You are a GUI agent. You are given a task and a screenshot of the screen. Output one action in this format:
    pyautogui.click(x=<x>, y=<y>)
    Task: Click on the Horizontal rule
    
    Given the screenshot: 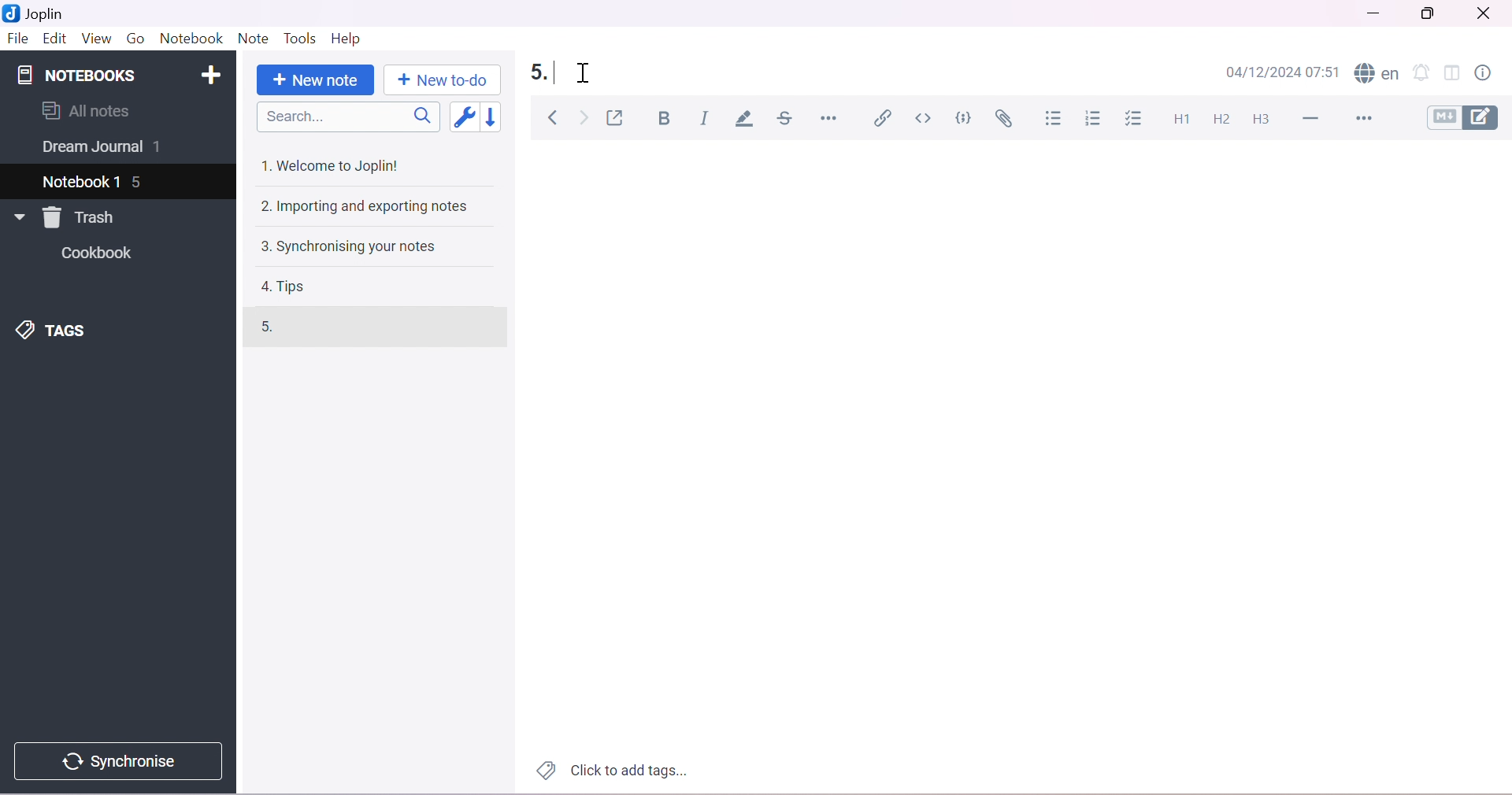 What is the action you would take?
    pyautogui.click(x=828, y=117)
    